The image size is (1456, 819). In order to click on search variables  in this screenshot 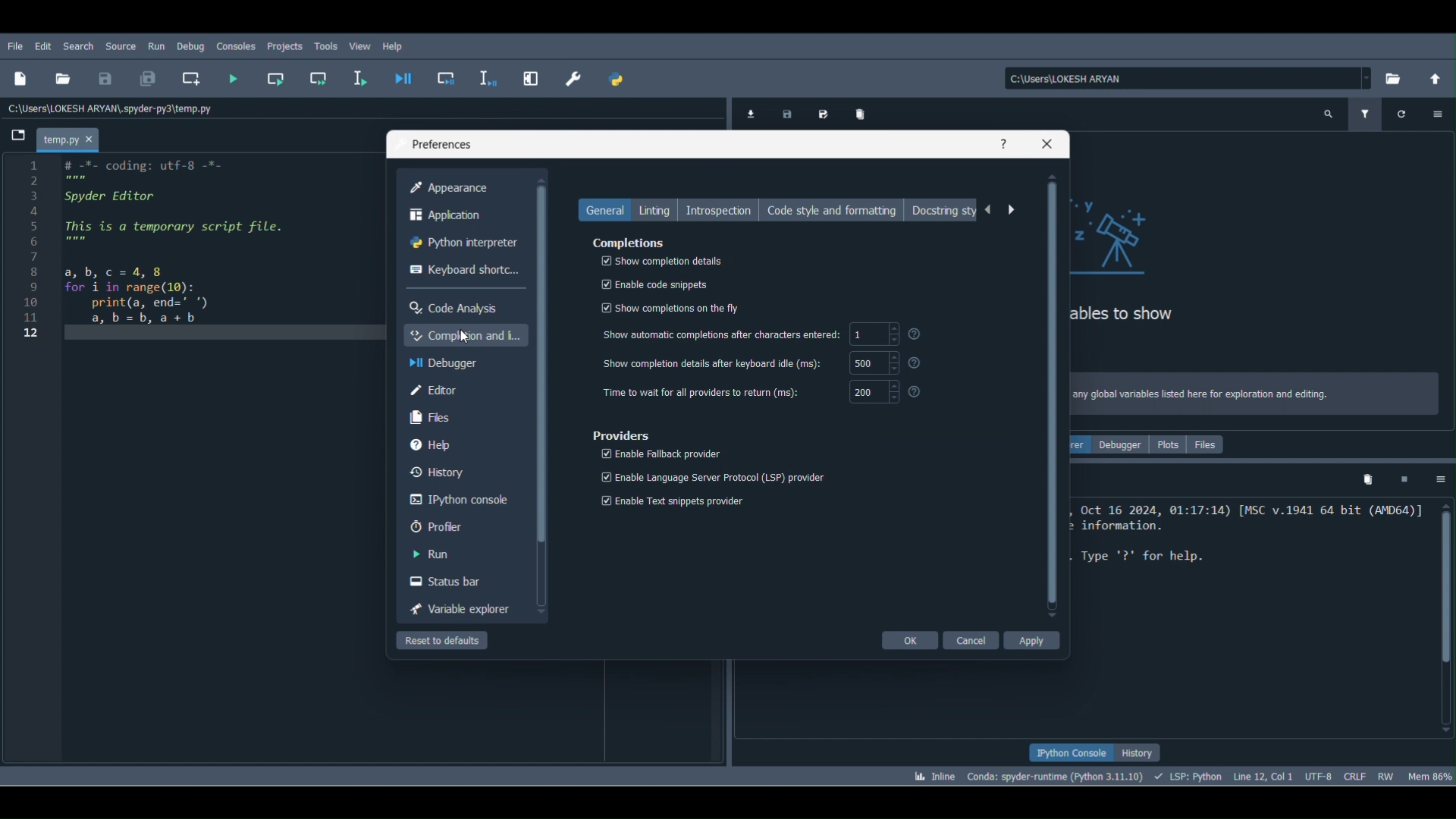, I will do `click(1330, 111)`.